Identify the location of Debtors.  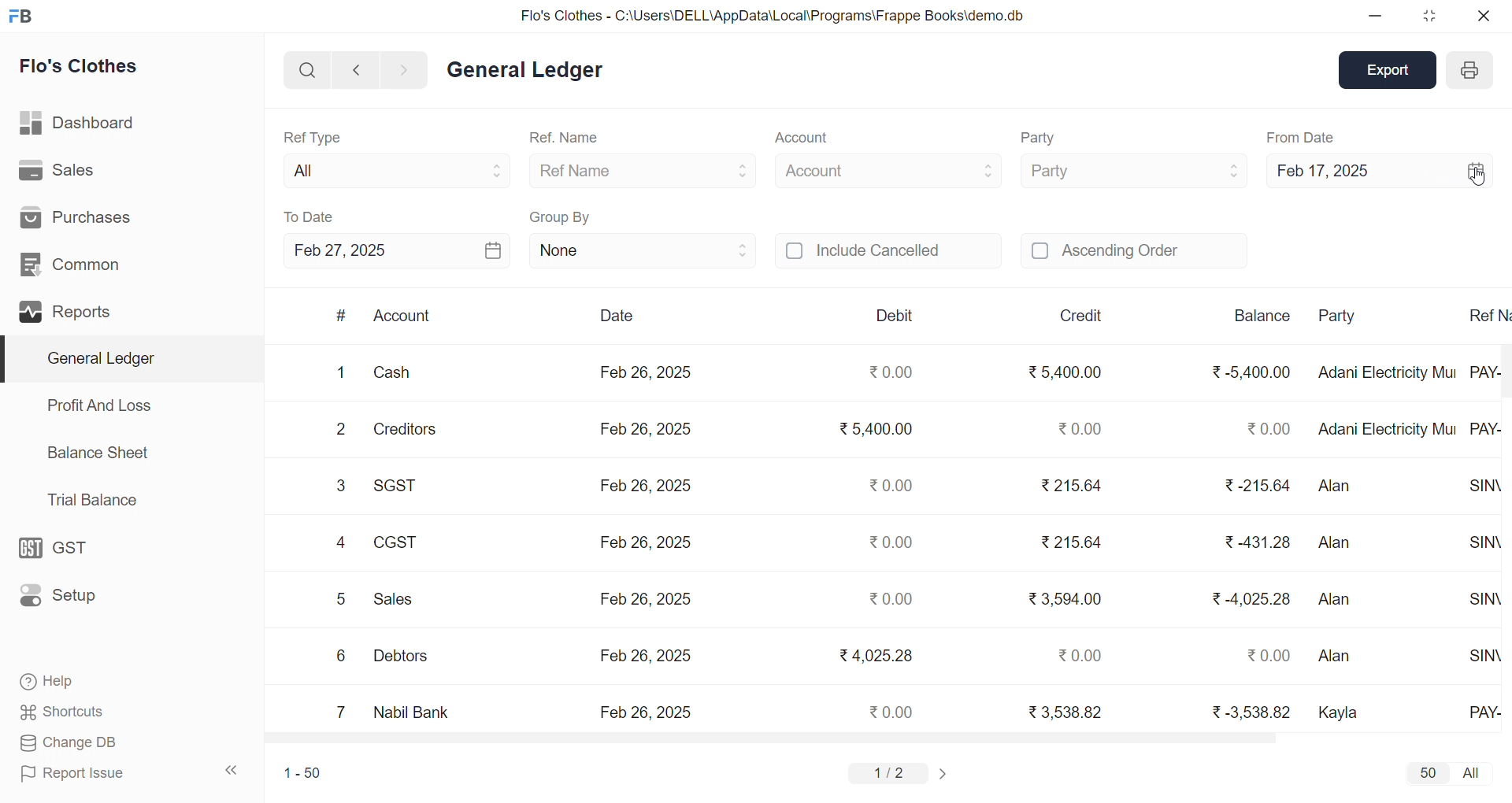
(408, 655).